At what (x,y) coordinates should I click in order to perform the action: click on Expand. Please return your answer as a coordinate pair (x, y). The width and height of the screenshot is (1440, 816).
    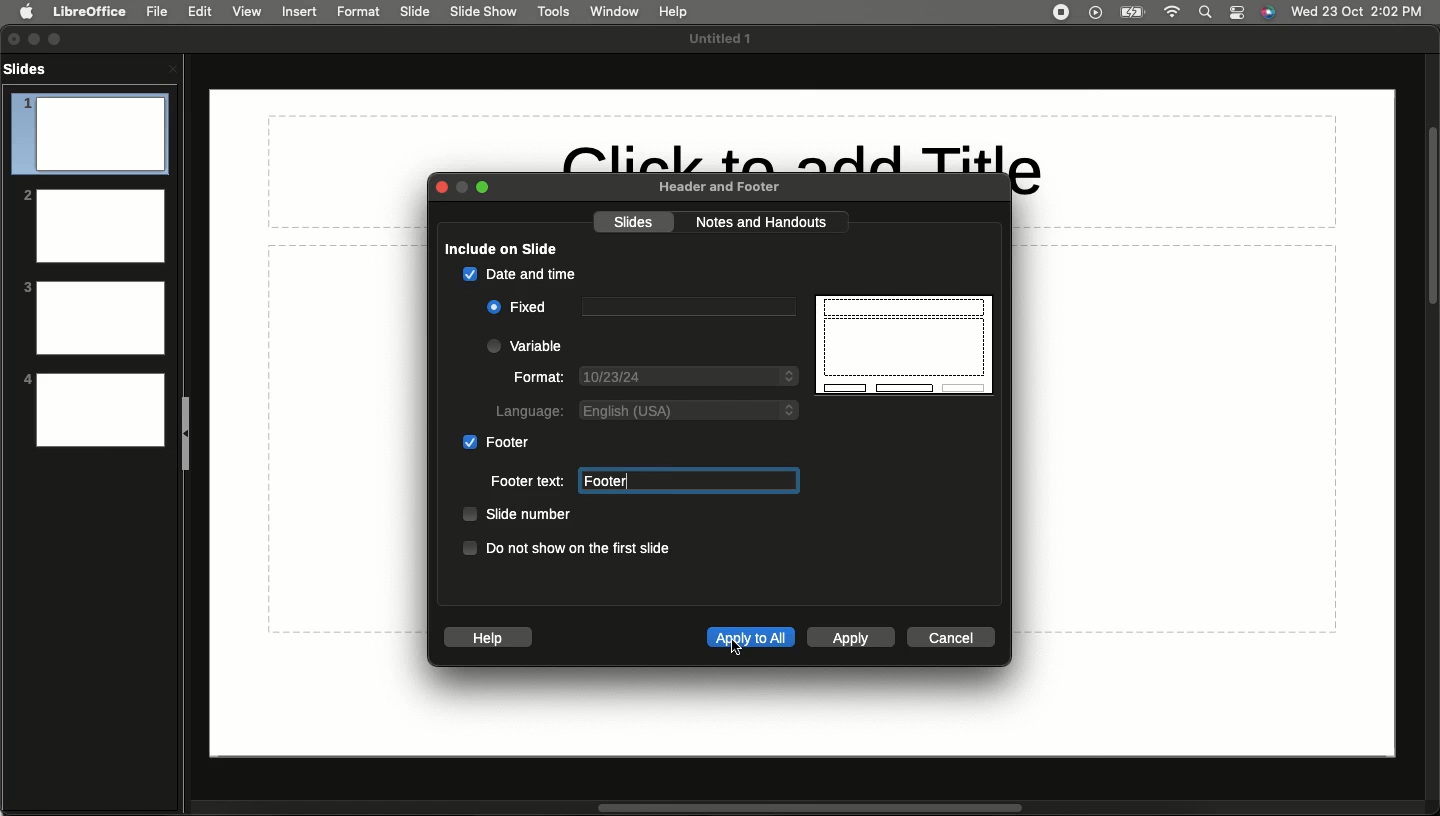
    Looking at the image, I should click on (59, 37).